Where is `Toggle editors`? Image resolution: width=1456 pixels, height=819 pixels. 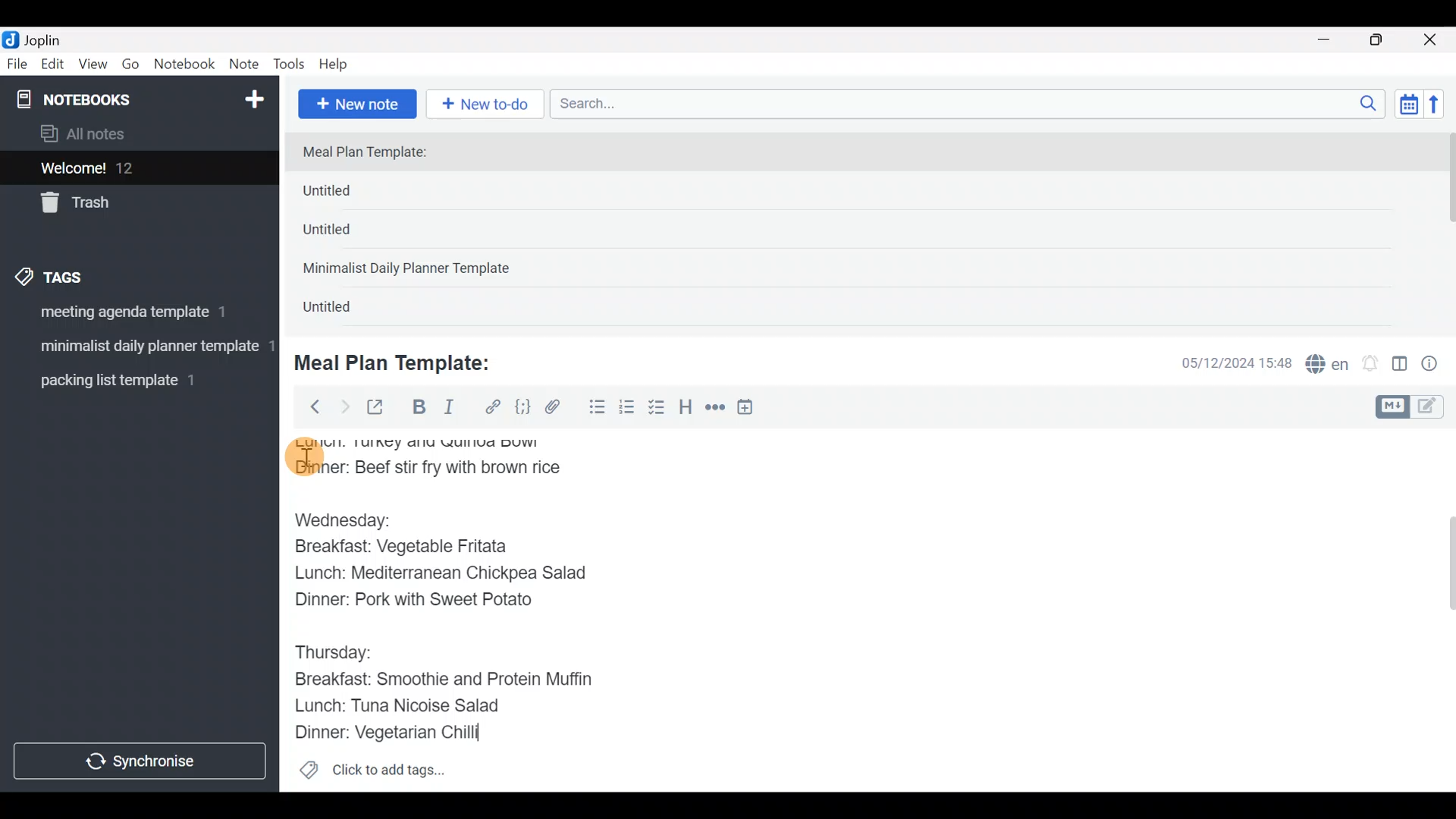 Toggle editors is located at coordinates (1414, 405).